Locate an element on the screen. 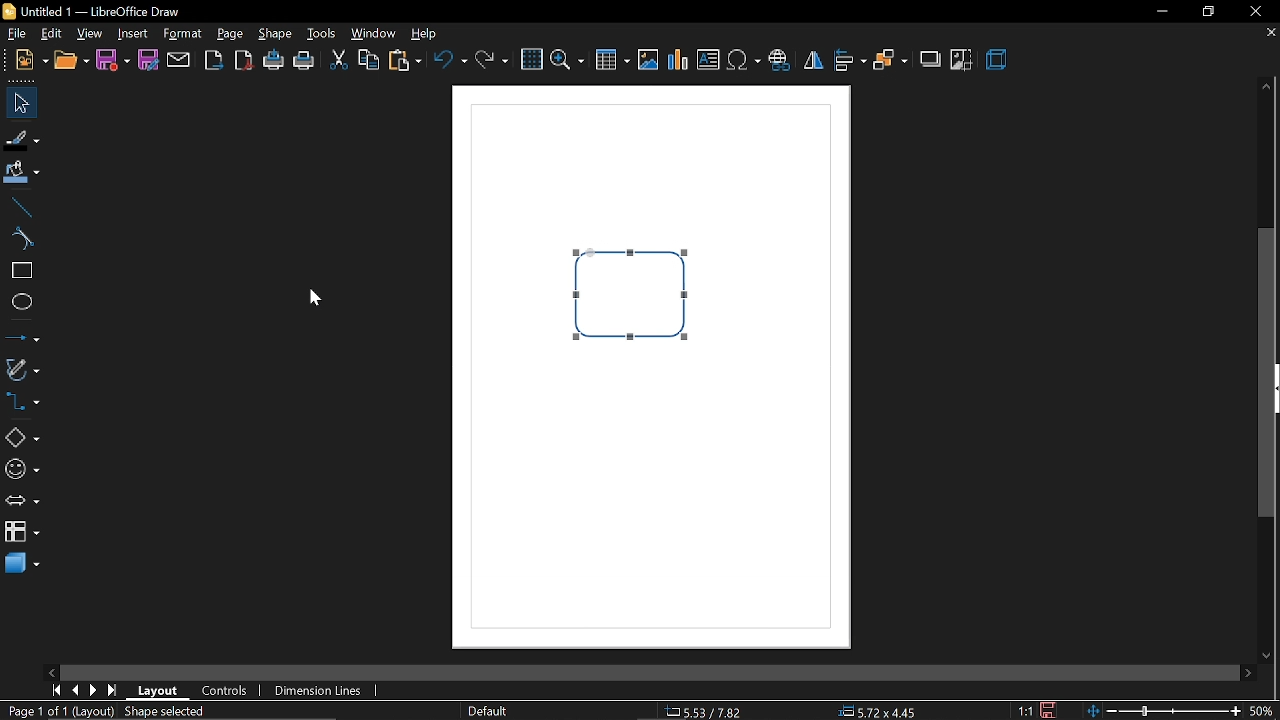  edit is located at coordinates (54, 33).